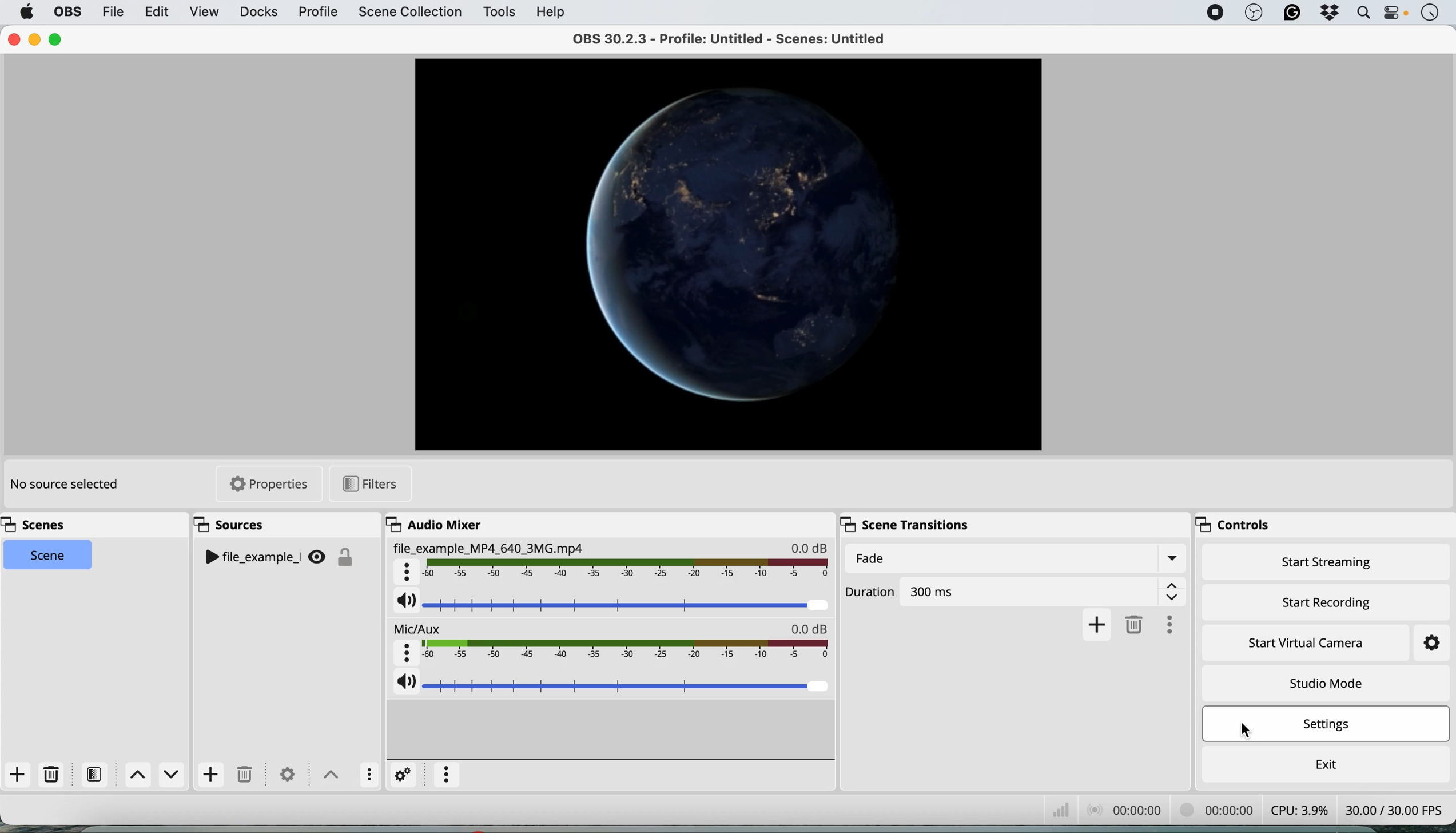 This screenshot has height=833, width=1456. I want to click on help, so click(552, 11).